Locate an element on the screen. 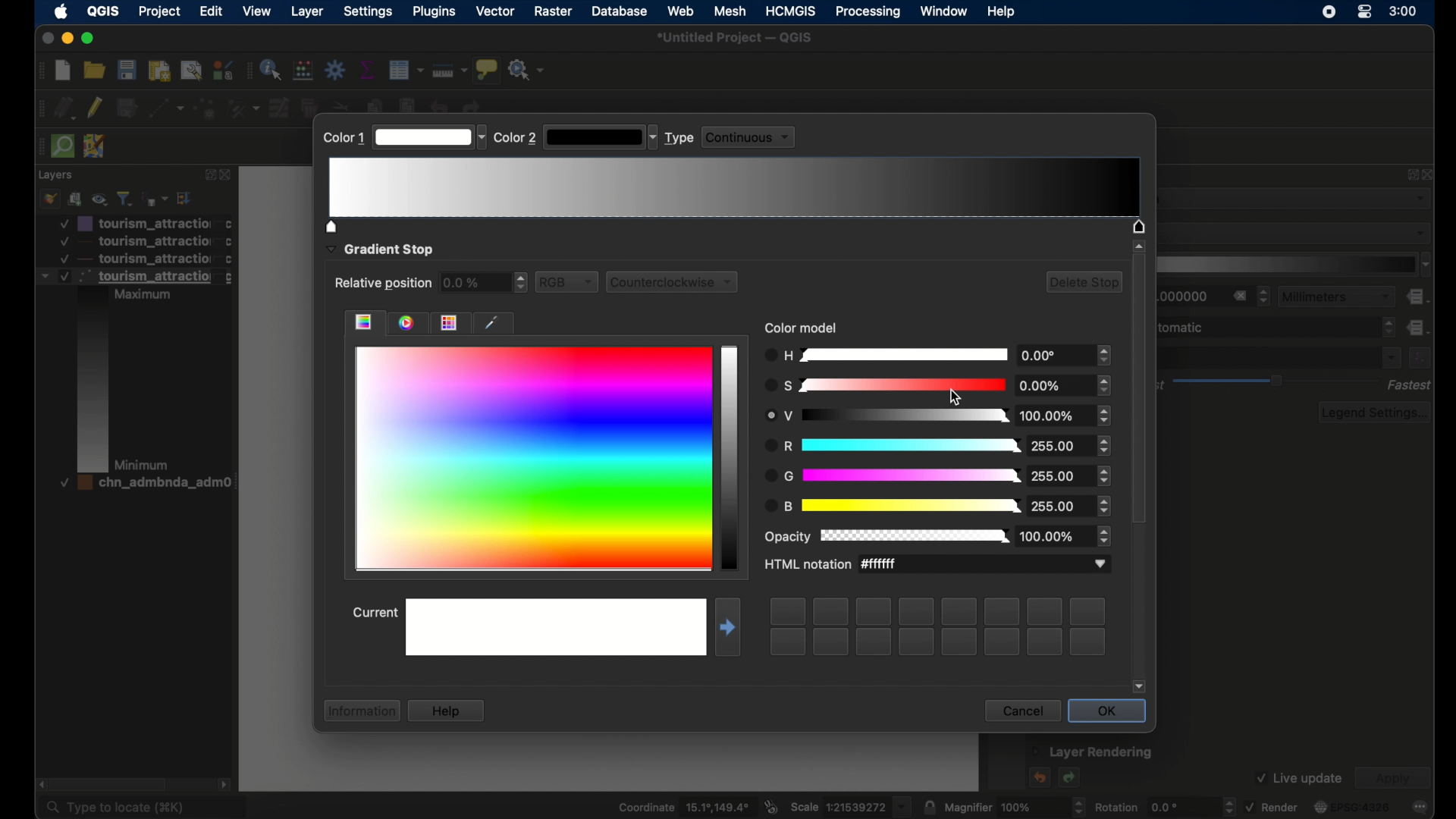 This screenshot has width=1456, height=819. close is located at coordinates (1430, 174).